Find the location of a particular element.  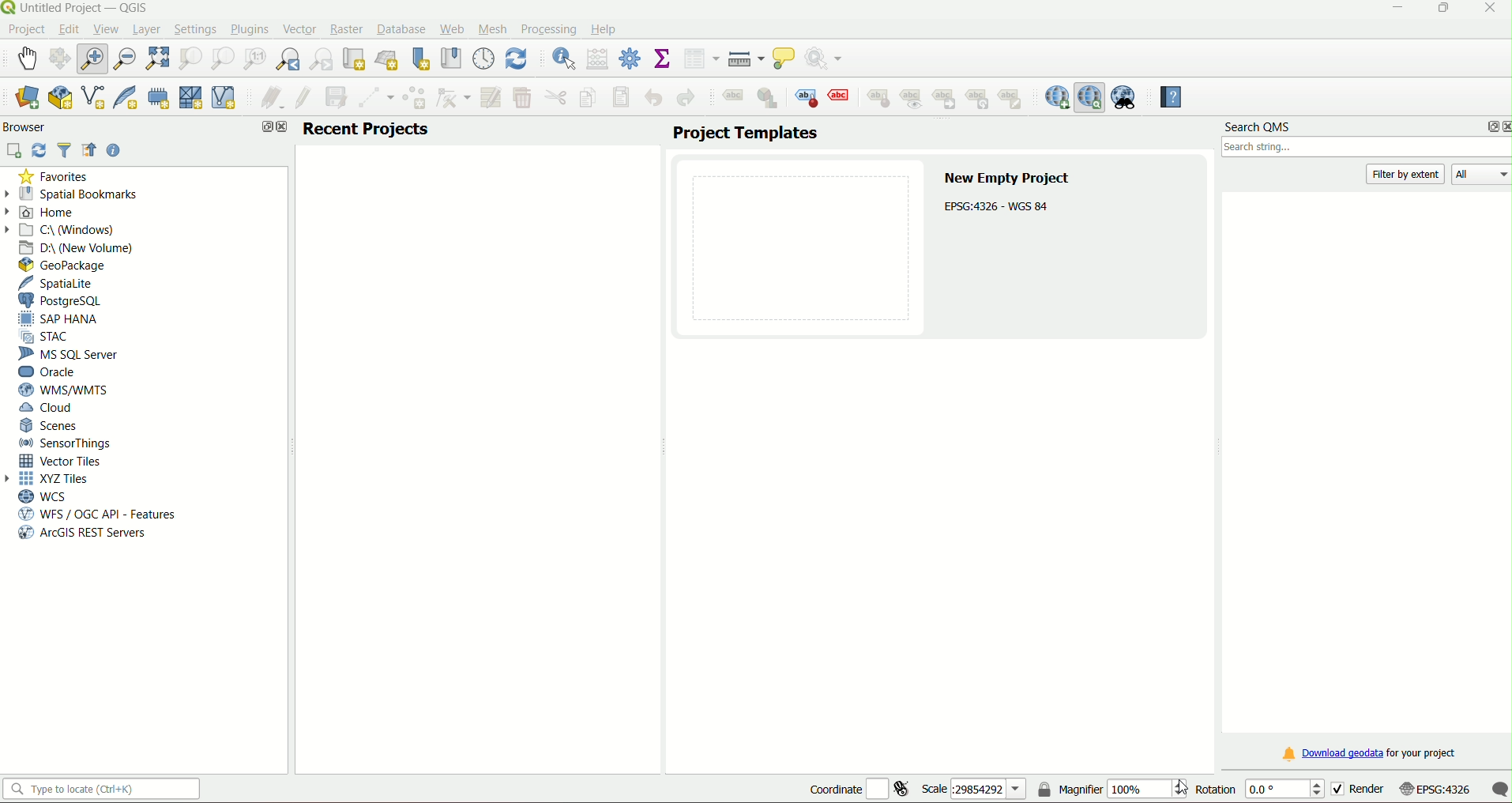

Raster is located at coordinates (346, 28).